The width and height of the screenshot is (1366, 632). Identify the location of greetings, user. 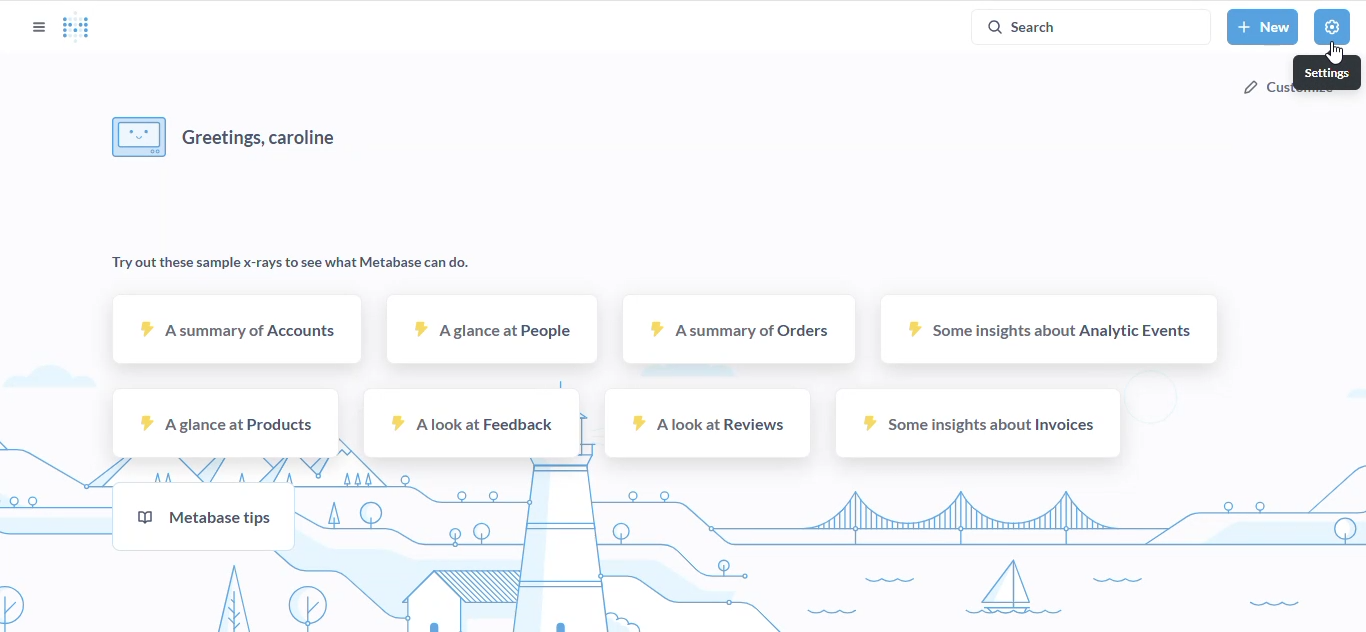
(224, 138).